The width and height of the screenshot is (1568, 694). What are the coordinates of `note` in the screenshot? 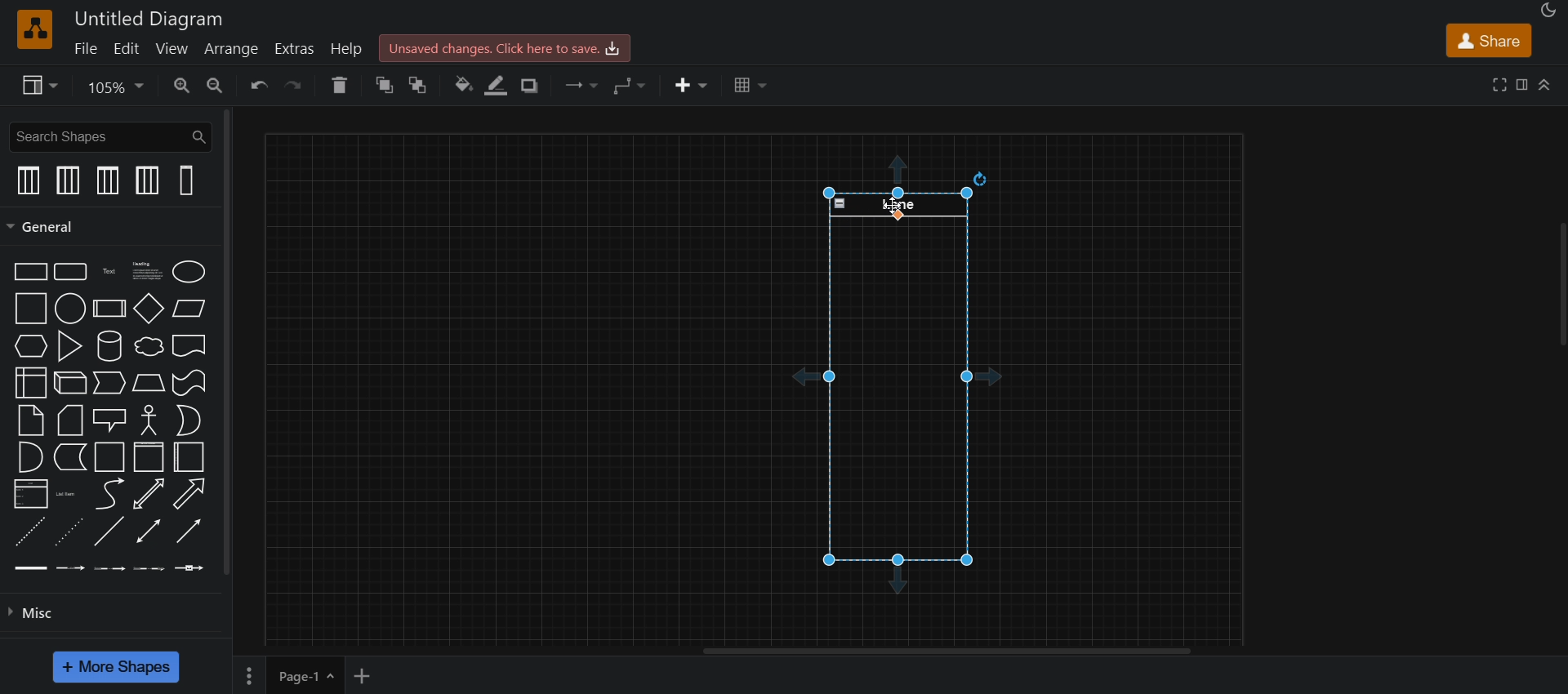 It's located at (32, 421).